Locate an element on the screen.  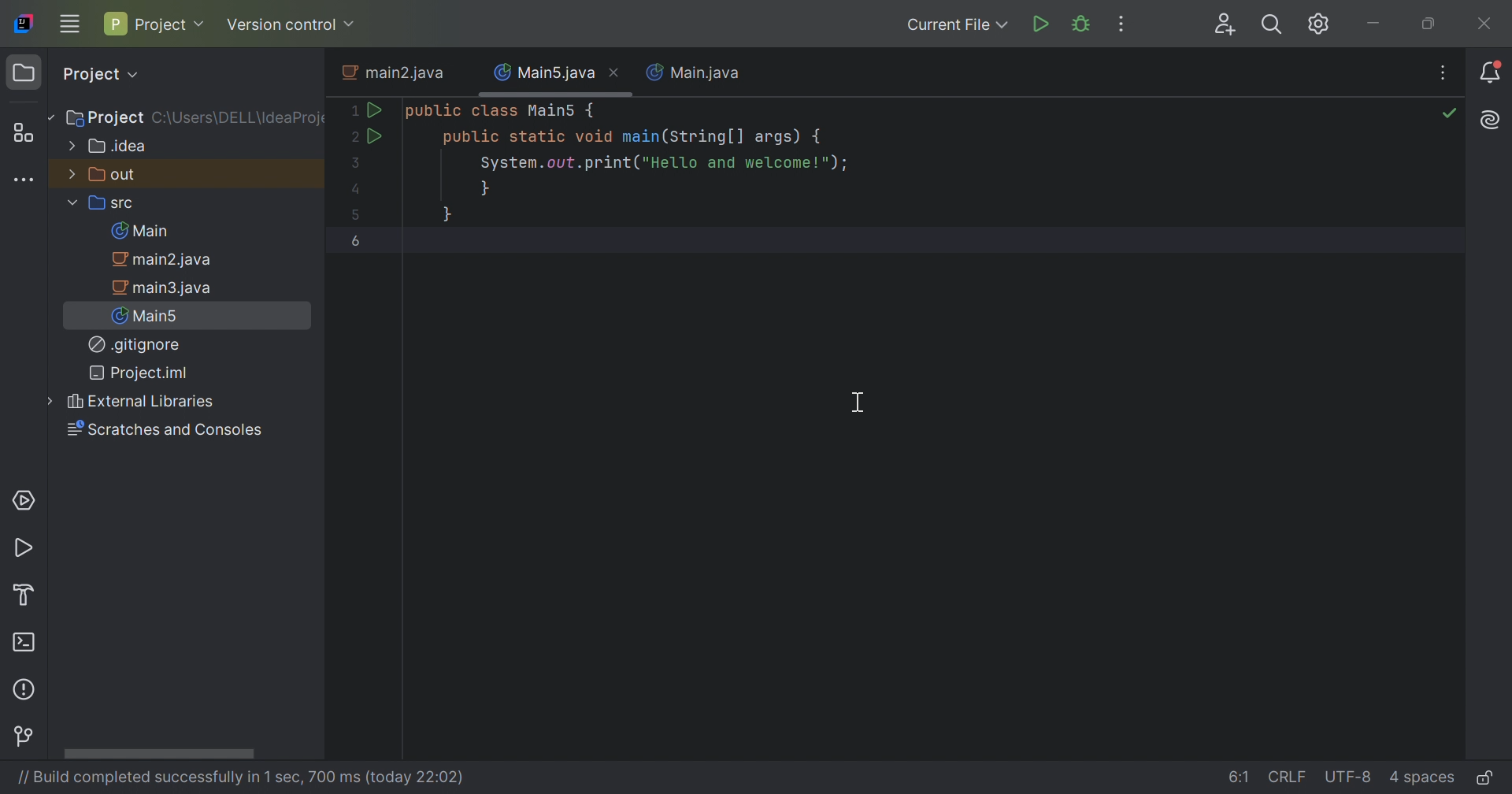
System.out.print("Hello and welcome"); is located at coordinates (662, 165).